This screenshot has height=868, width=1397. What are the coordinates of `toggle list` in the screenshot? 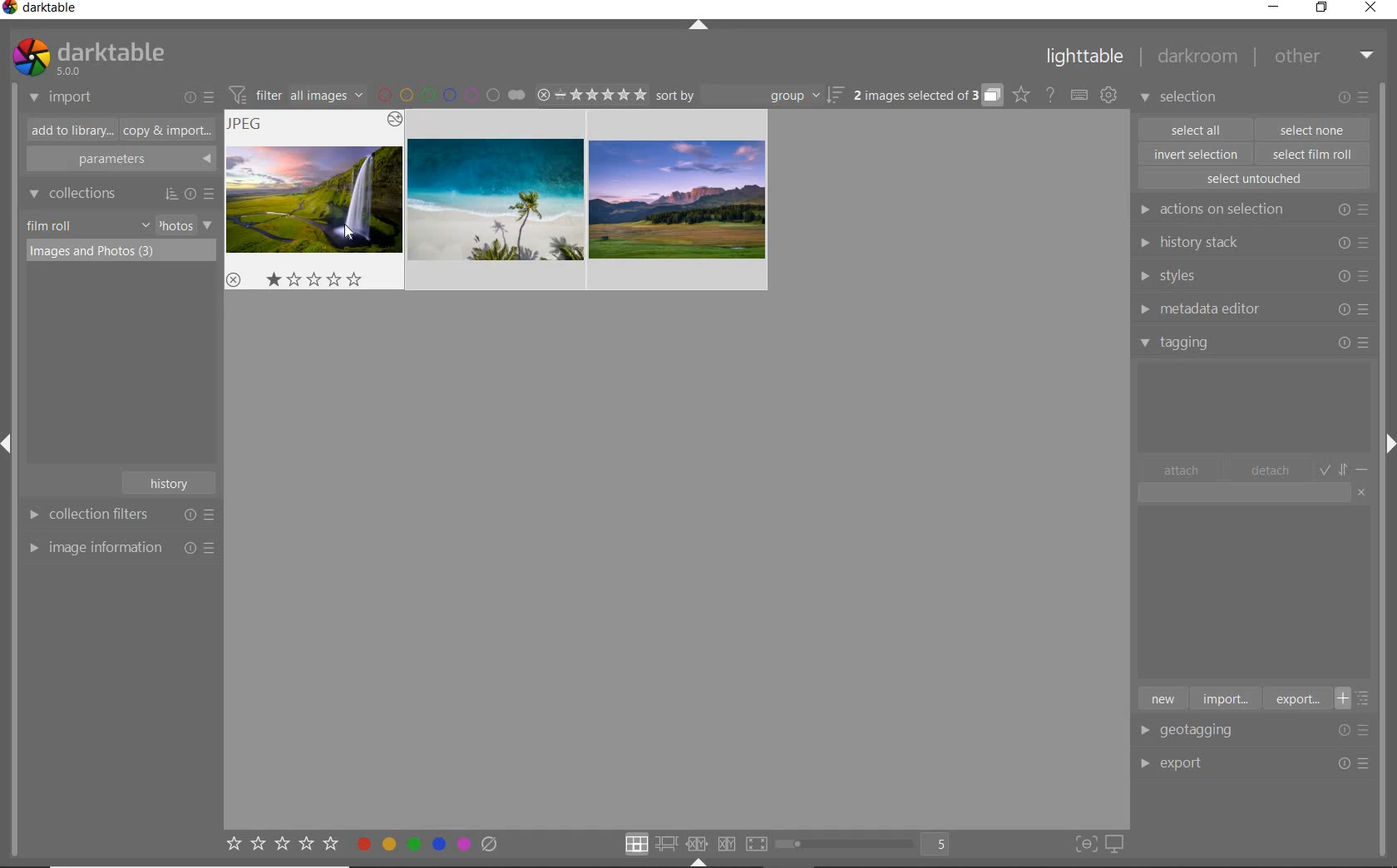 It's located at (1358, 698).